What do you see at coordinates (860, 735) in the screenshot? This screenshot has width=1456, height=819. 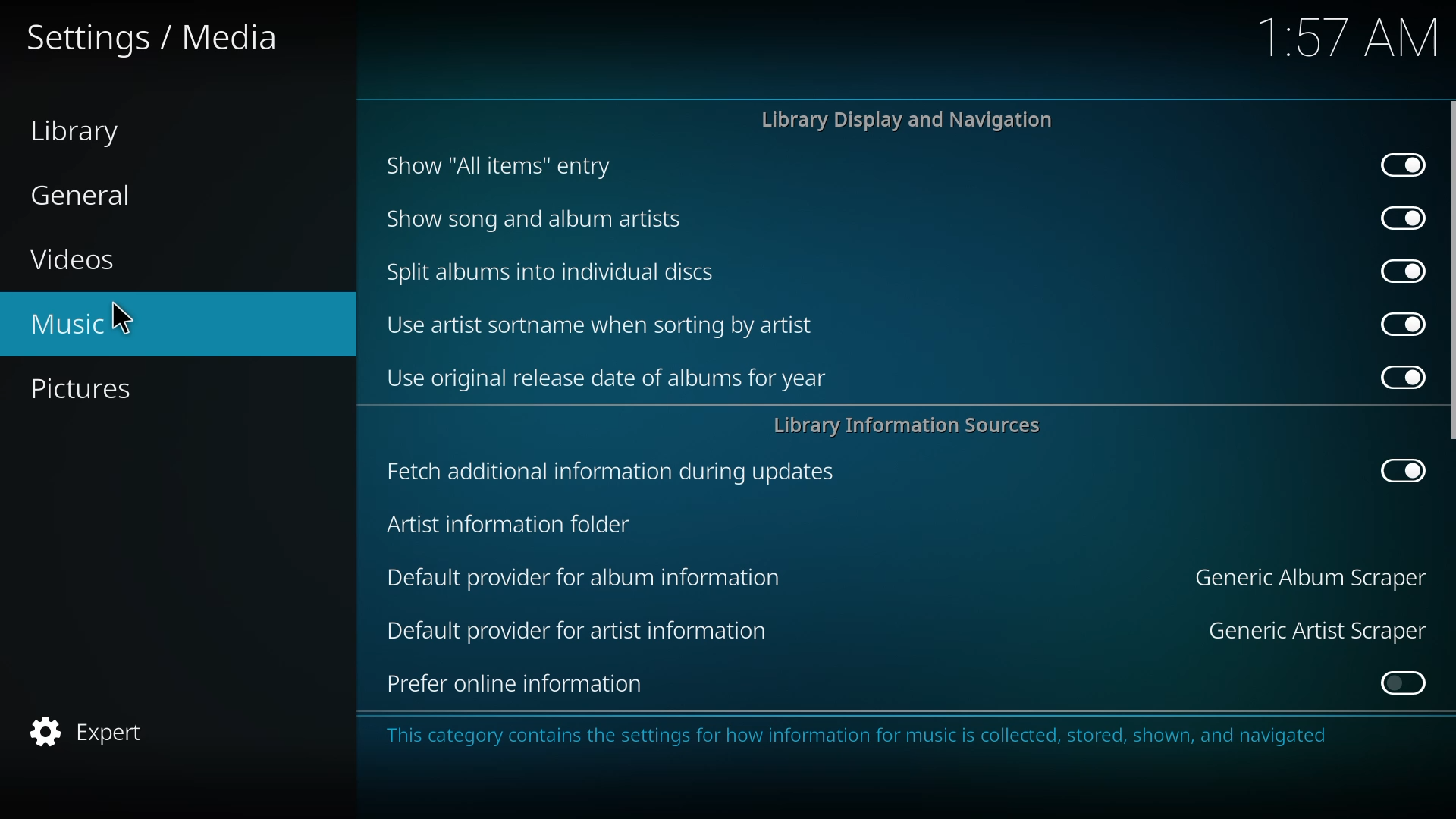 I see `info` at bounding box center [860, 735].